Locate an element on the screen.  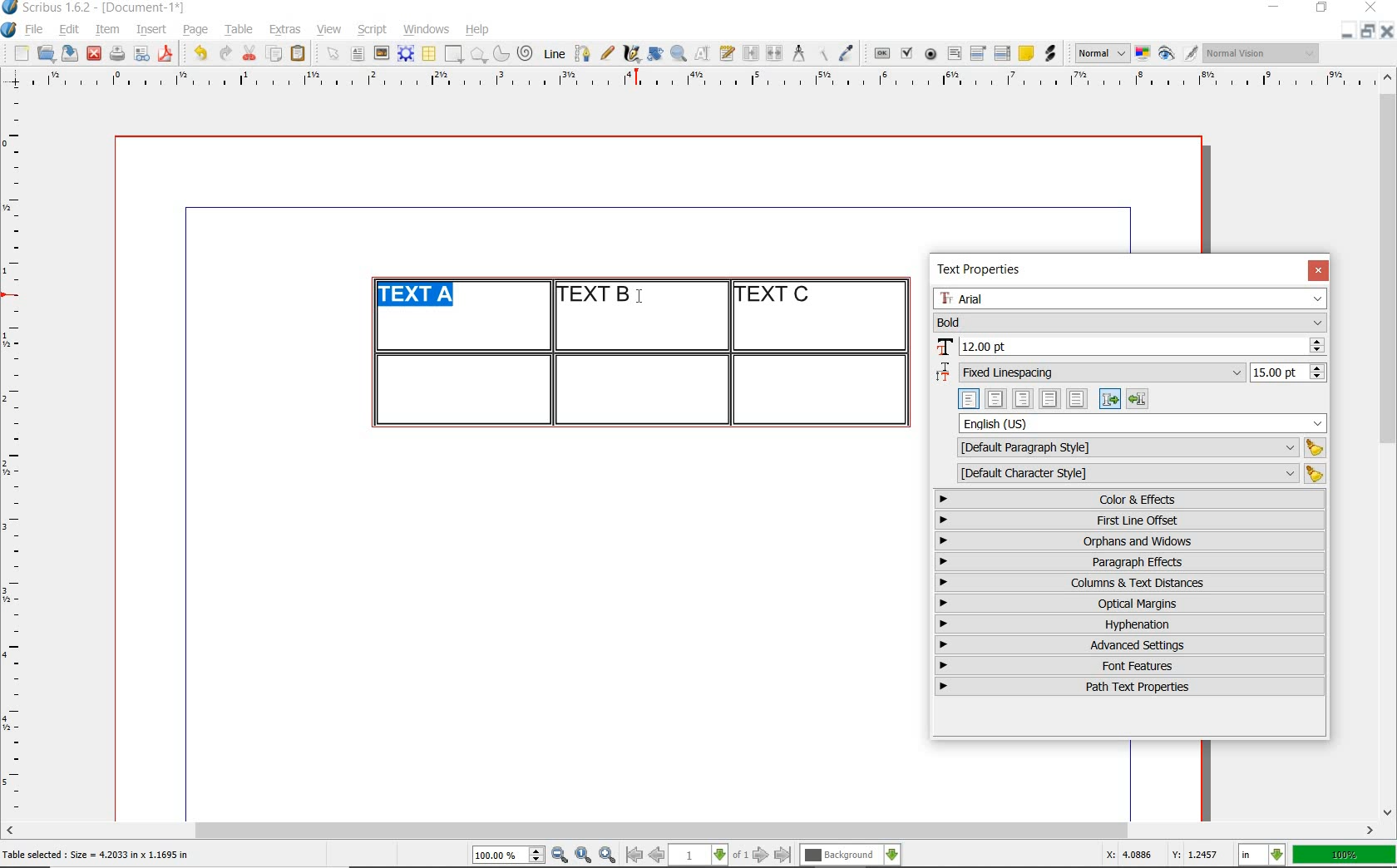
image frame is located at coordinates (383, 53).